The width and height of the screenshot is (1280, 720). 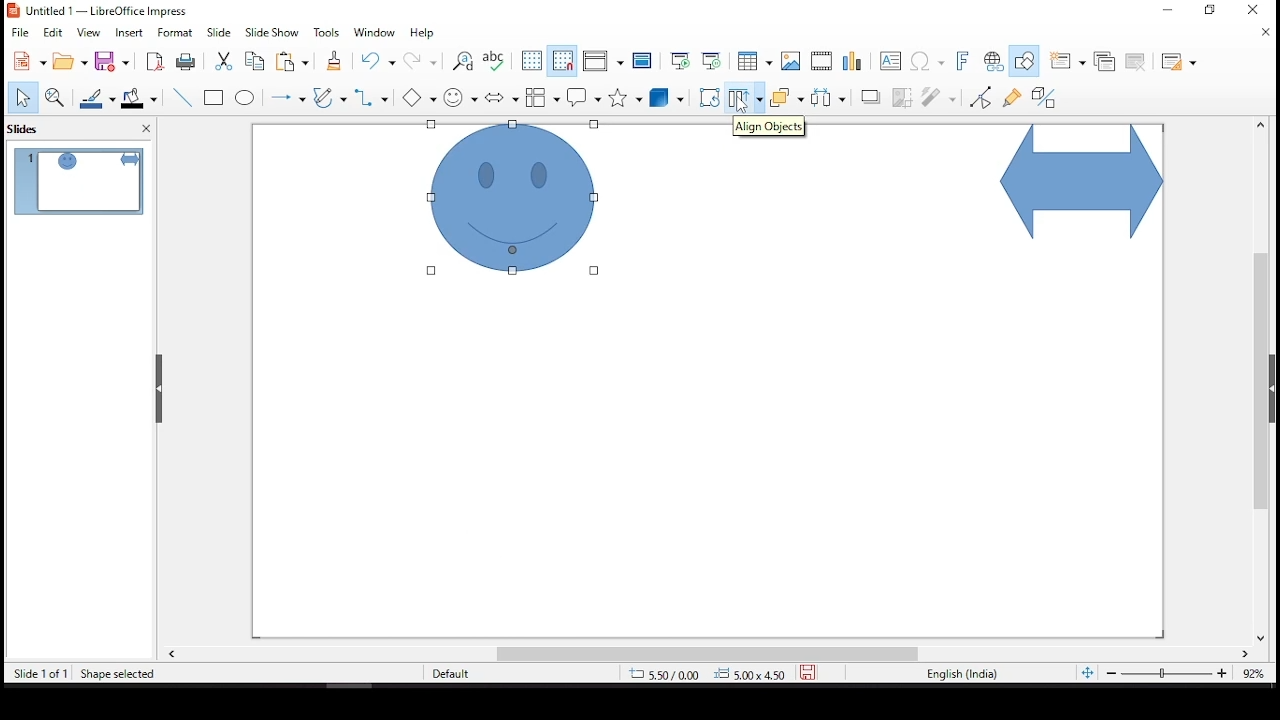 I want to click on save, so click(x=115, y=62).